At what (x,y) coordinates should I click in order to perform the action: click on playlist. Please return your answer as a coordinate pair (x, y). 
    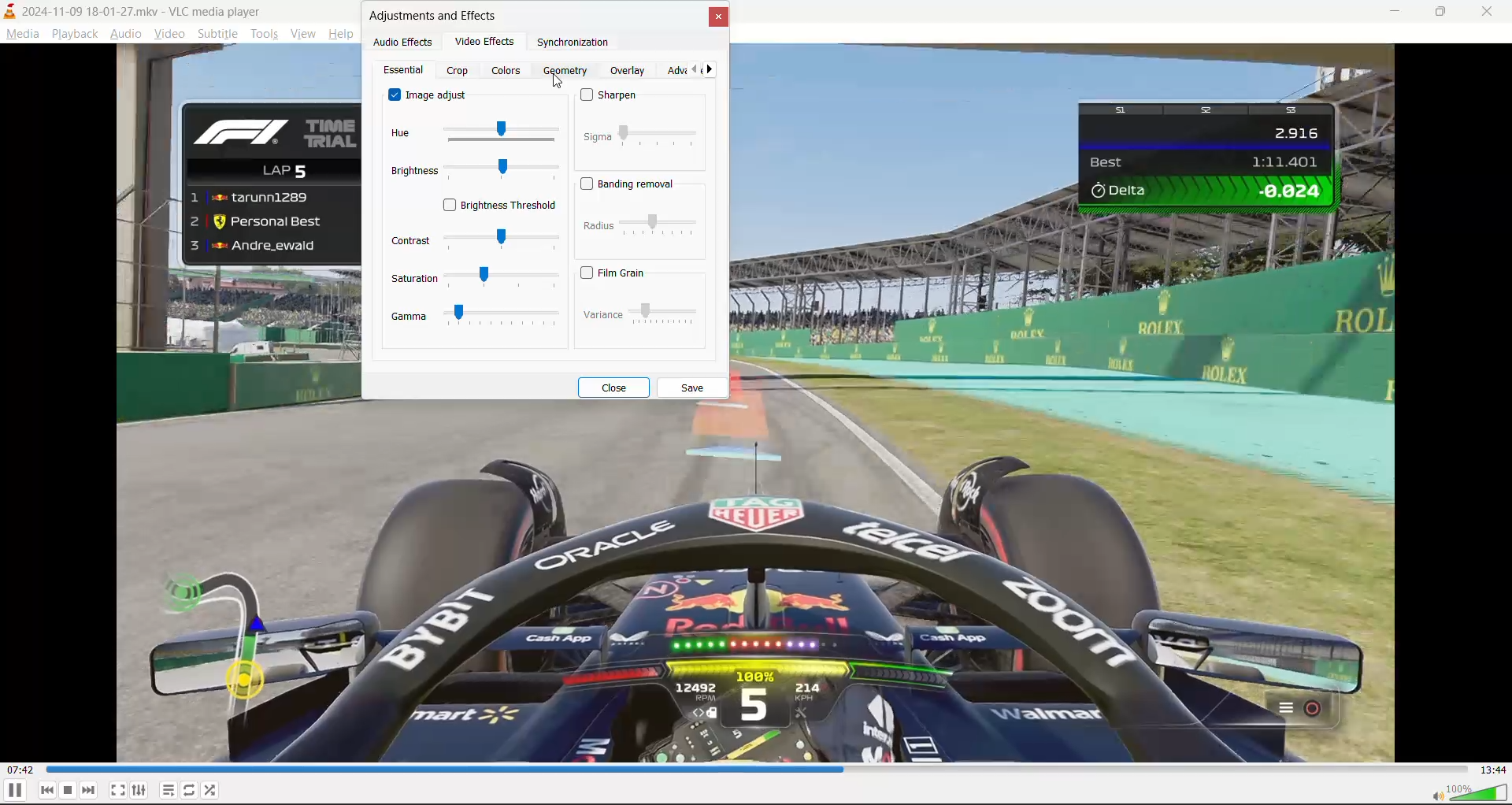
    Looking at the image, I should click on (169, 790).